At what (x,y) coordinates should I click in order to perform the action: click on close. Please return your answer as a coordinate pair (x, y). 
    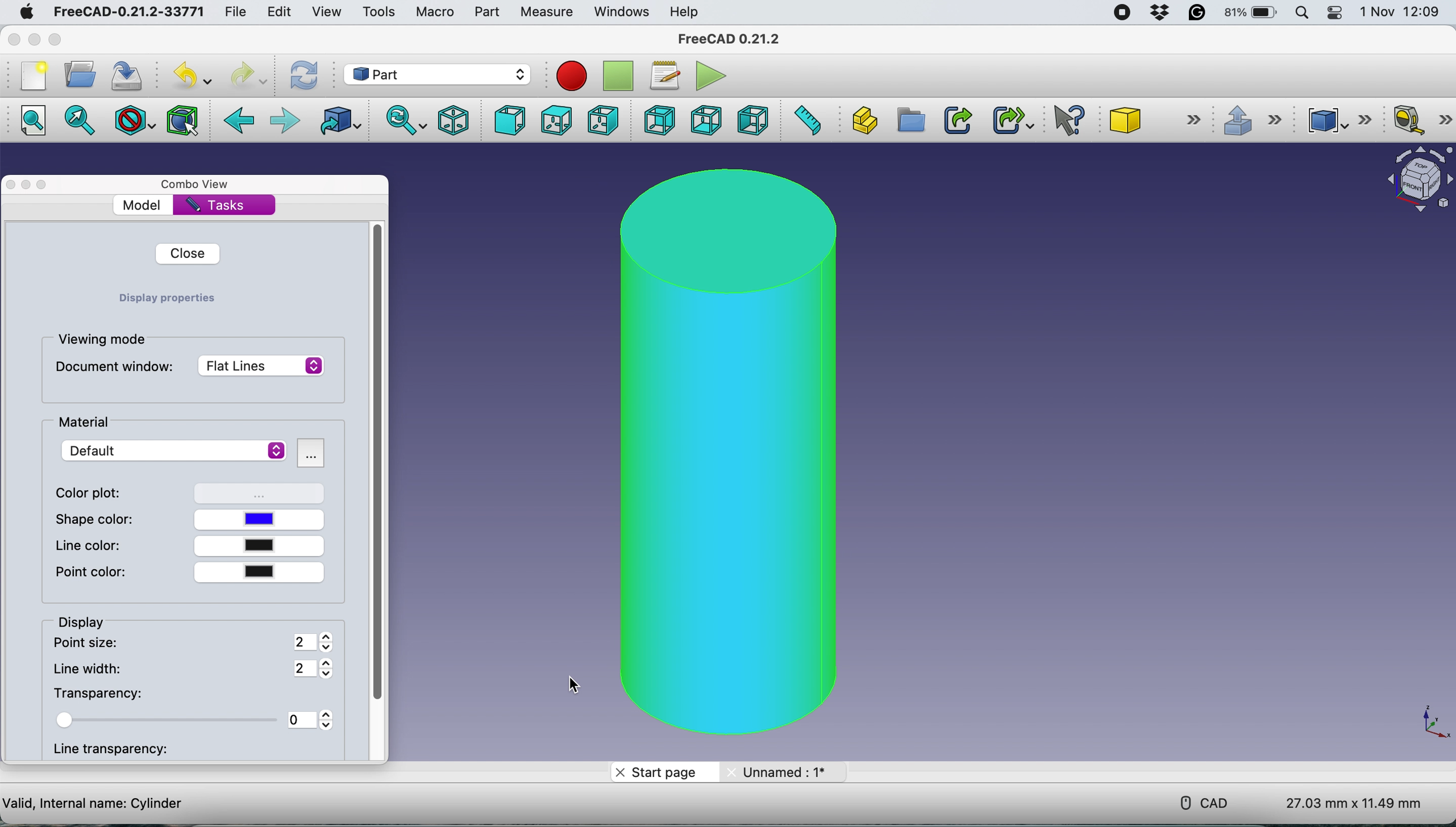
    Looking at the image, I should click on (187, 255).